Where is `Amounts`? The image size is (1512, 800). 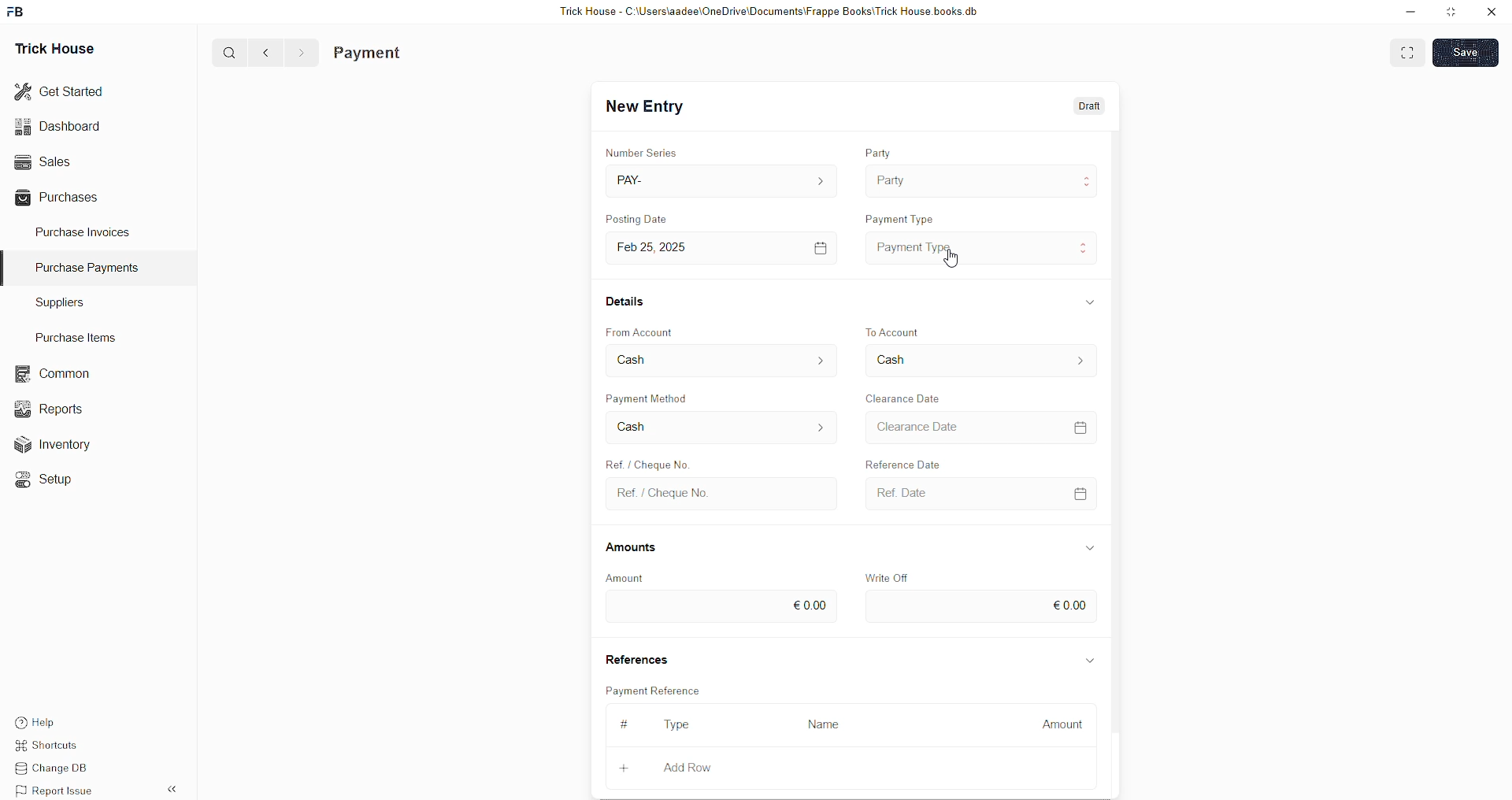 Amounts is located at coordinates (638, 548).